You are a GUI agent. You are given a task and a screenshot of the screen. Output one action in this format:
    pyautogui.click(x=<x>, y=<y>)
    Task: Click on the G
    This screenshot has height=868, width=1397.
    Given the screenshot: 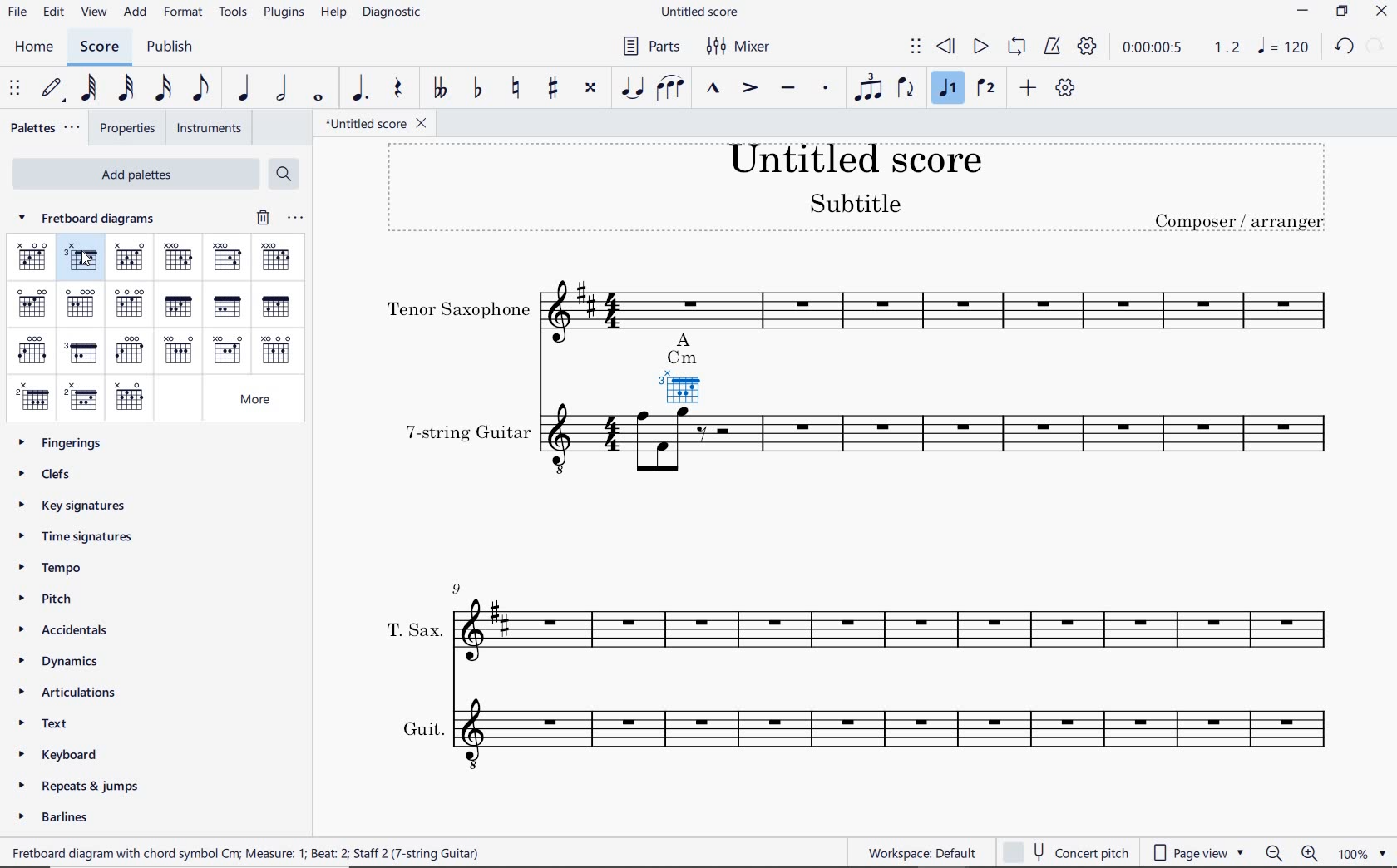 What is the action you would take?
    pyautogui.click(x=33, y=350)
    